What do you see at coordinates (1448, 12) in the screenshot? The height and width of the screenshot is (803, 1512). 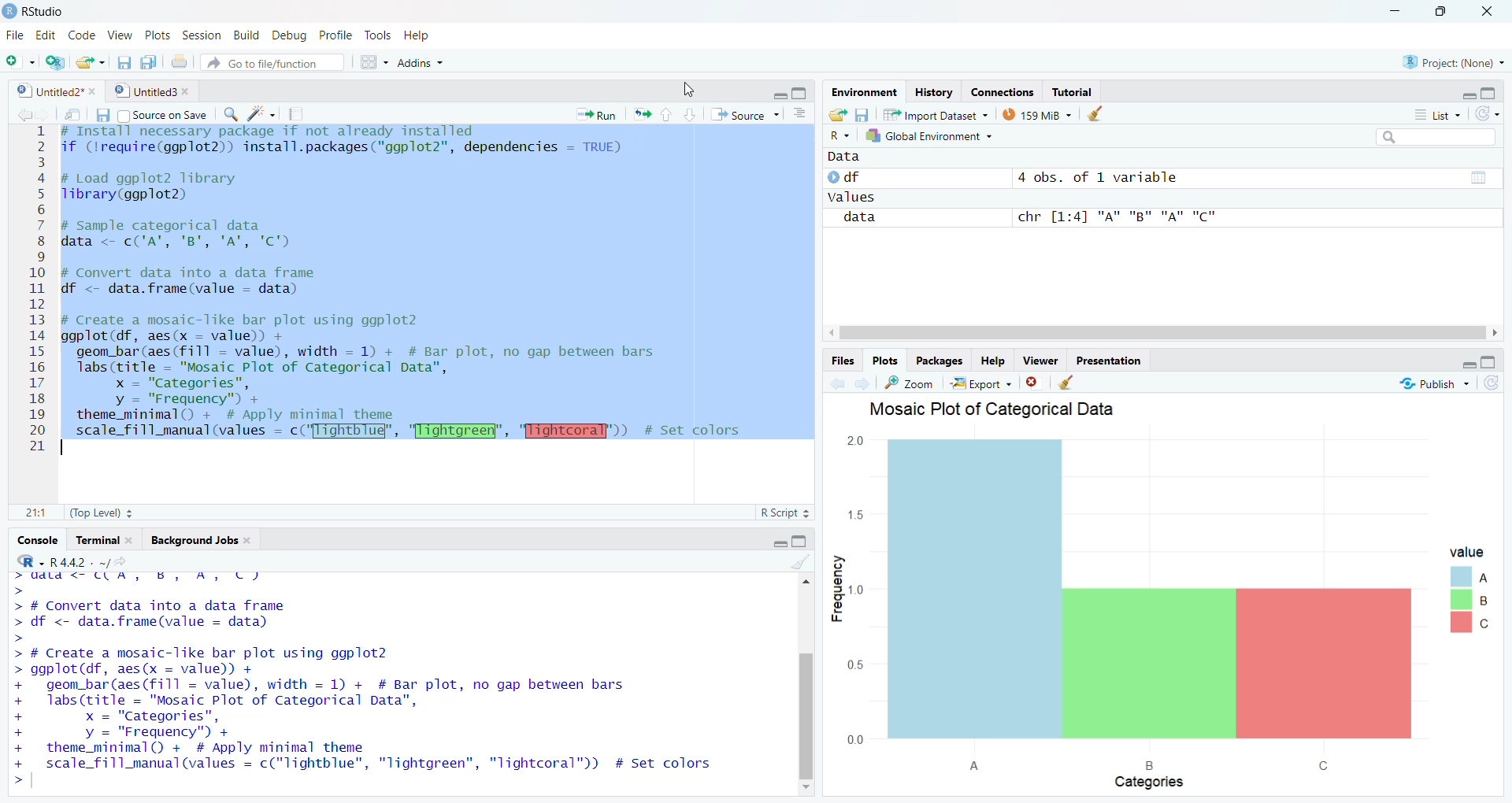 I see `Restore Down` at bounding box center [1448, 12].